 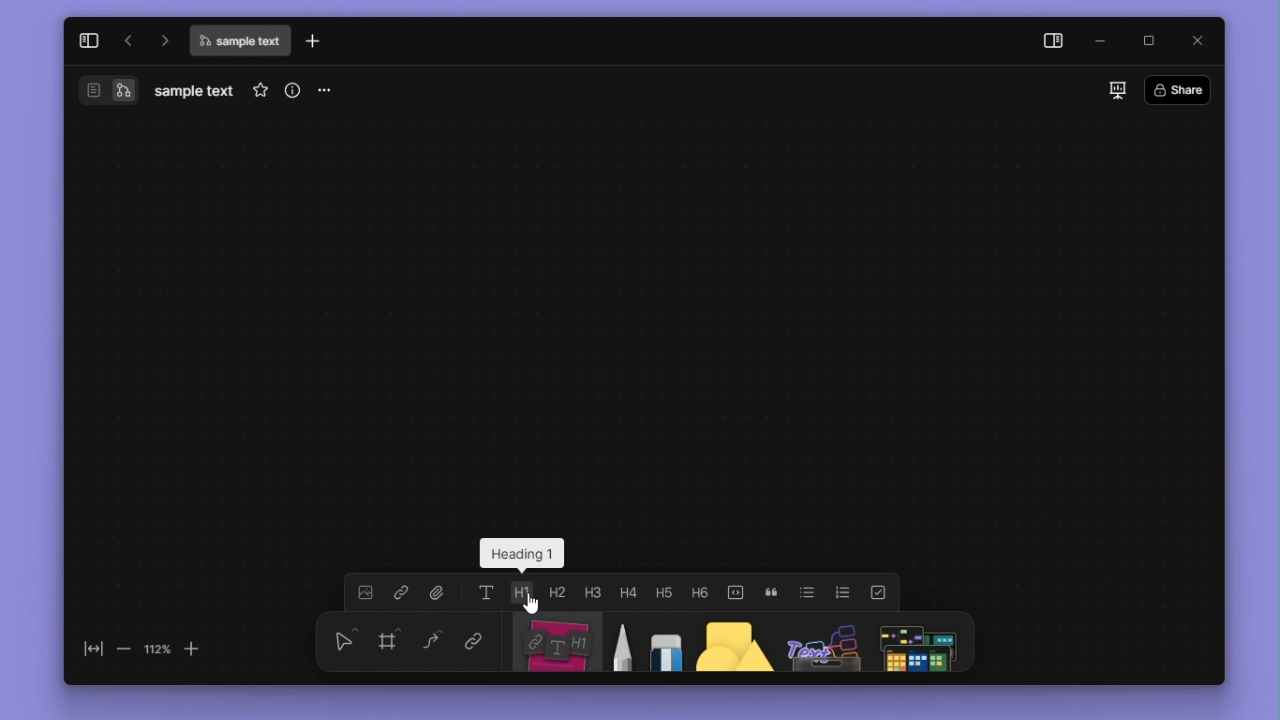 I want to click on code block, so click(x=735, y=593).